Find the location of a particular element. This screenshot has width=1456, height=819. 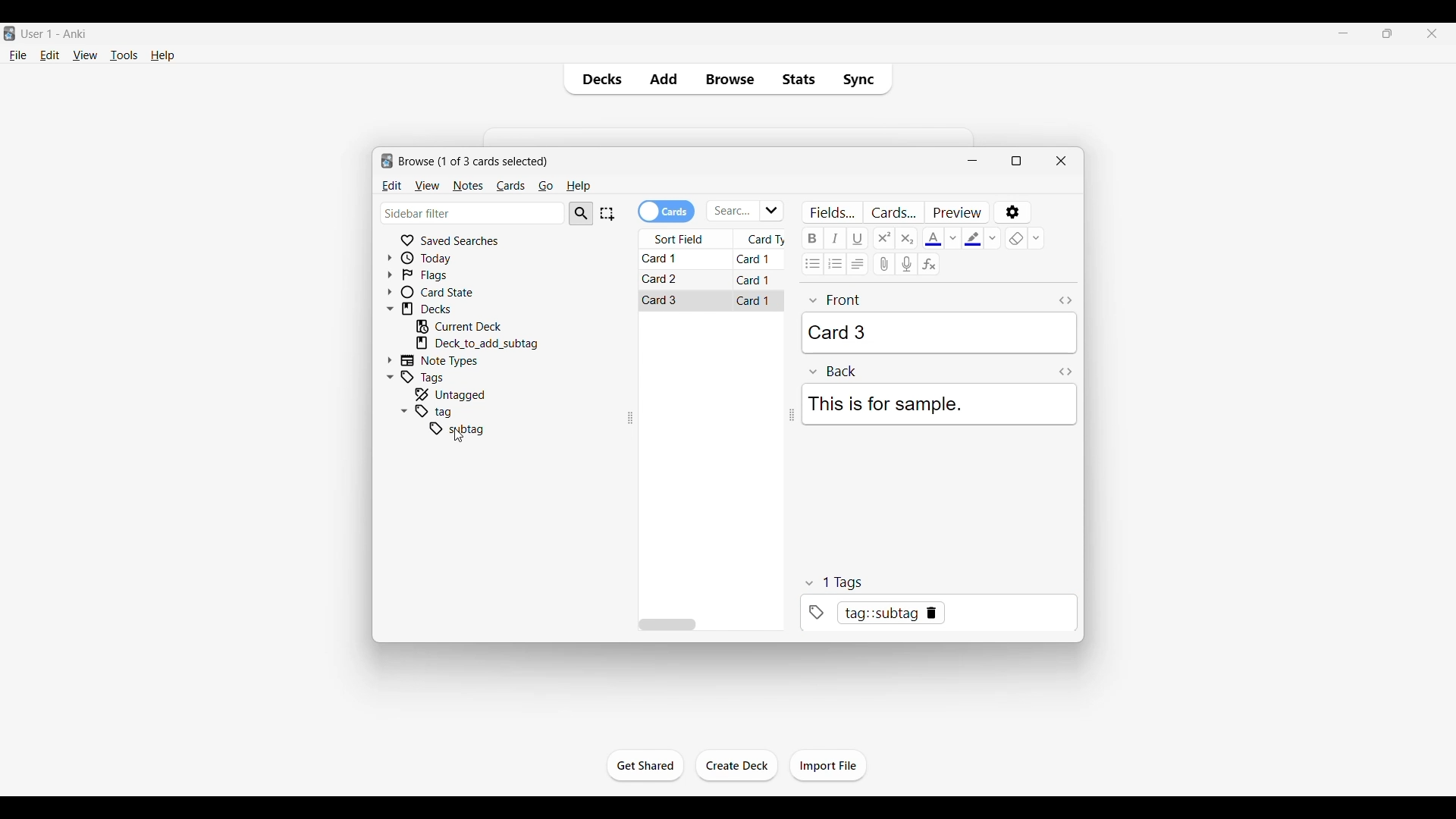

Selected text color is located at coordinates (933, 239).